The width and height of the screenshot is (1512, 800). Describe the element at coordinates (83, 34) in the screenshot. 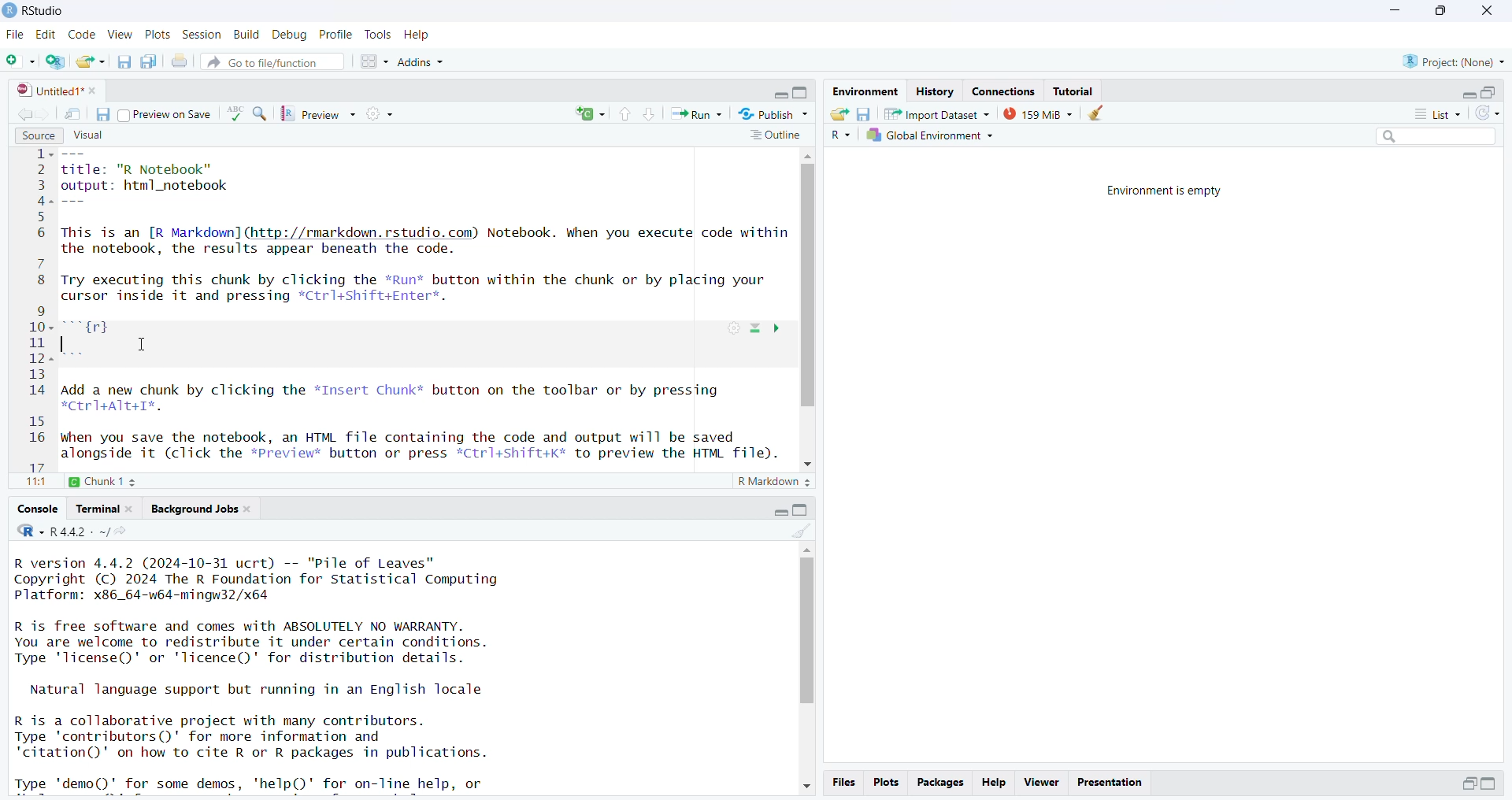

I see `code` at that location.